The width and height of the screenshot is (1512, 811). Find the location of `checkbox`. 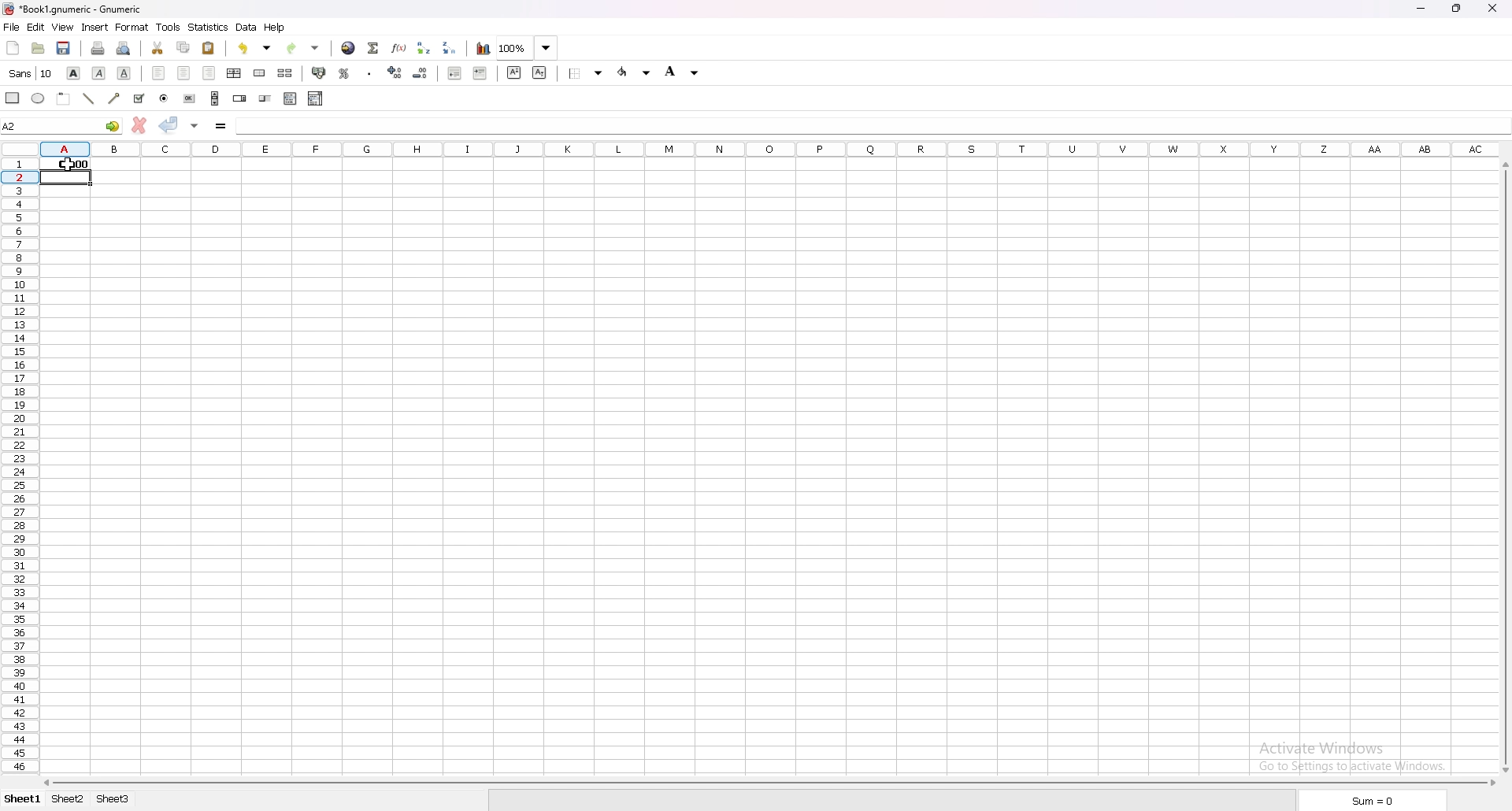

checkbox is located at coordinates (140, 98).